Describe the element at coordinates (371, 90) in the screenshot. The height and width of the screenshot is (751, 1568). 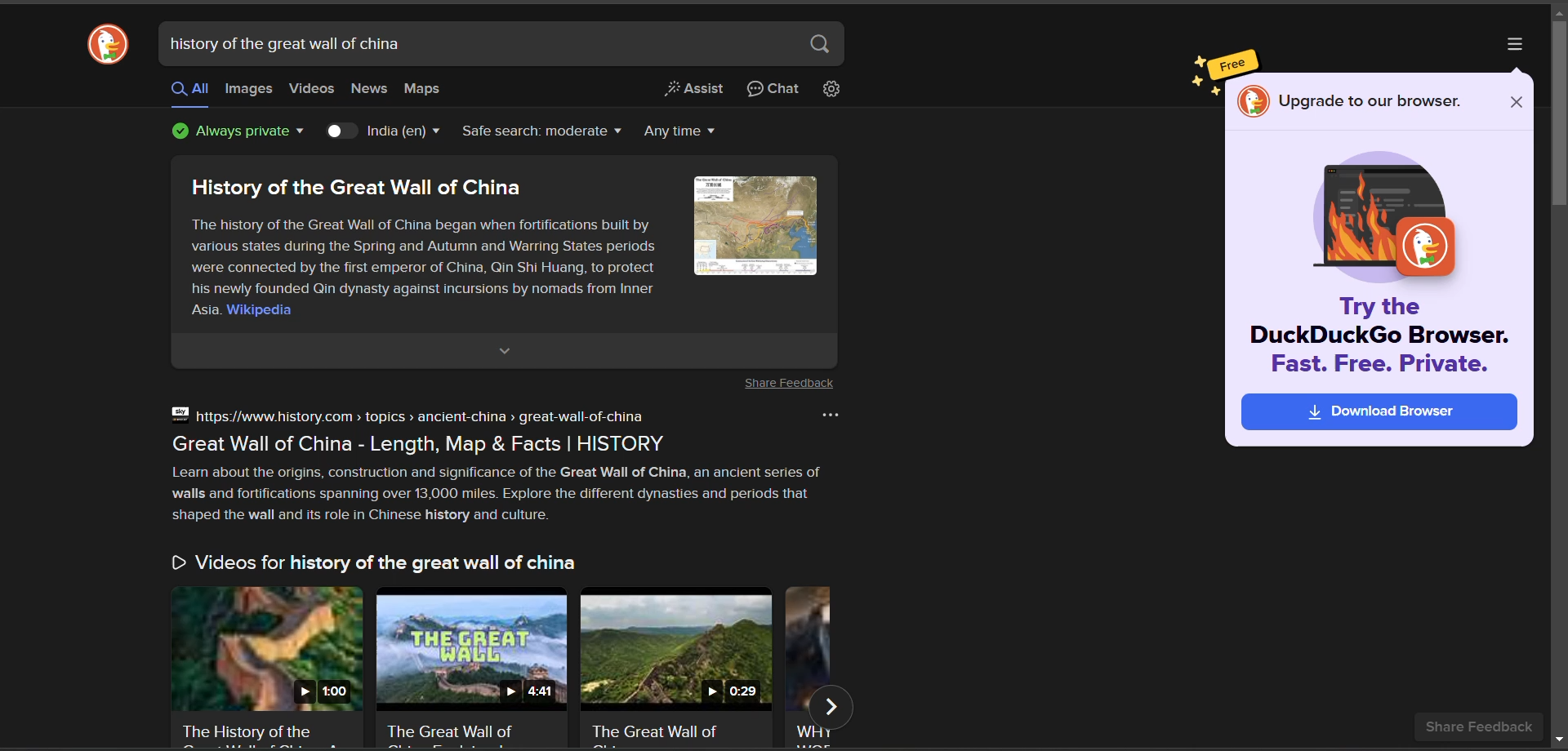
I see `news` at that location.